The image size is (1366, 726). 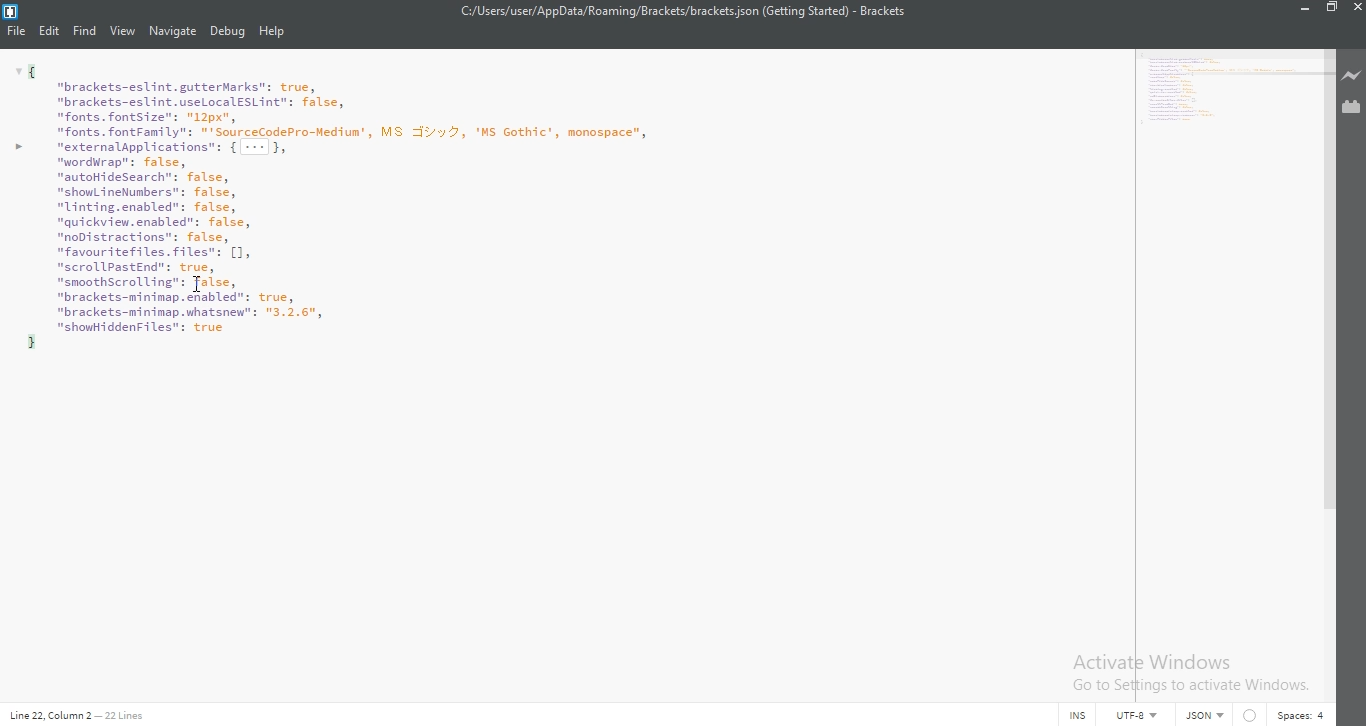 I want to click on Line 22, Column 2, so click(x=49, y=715).